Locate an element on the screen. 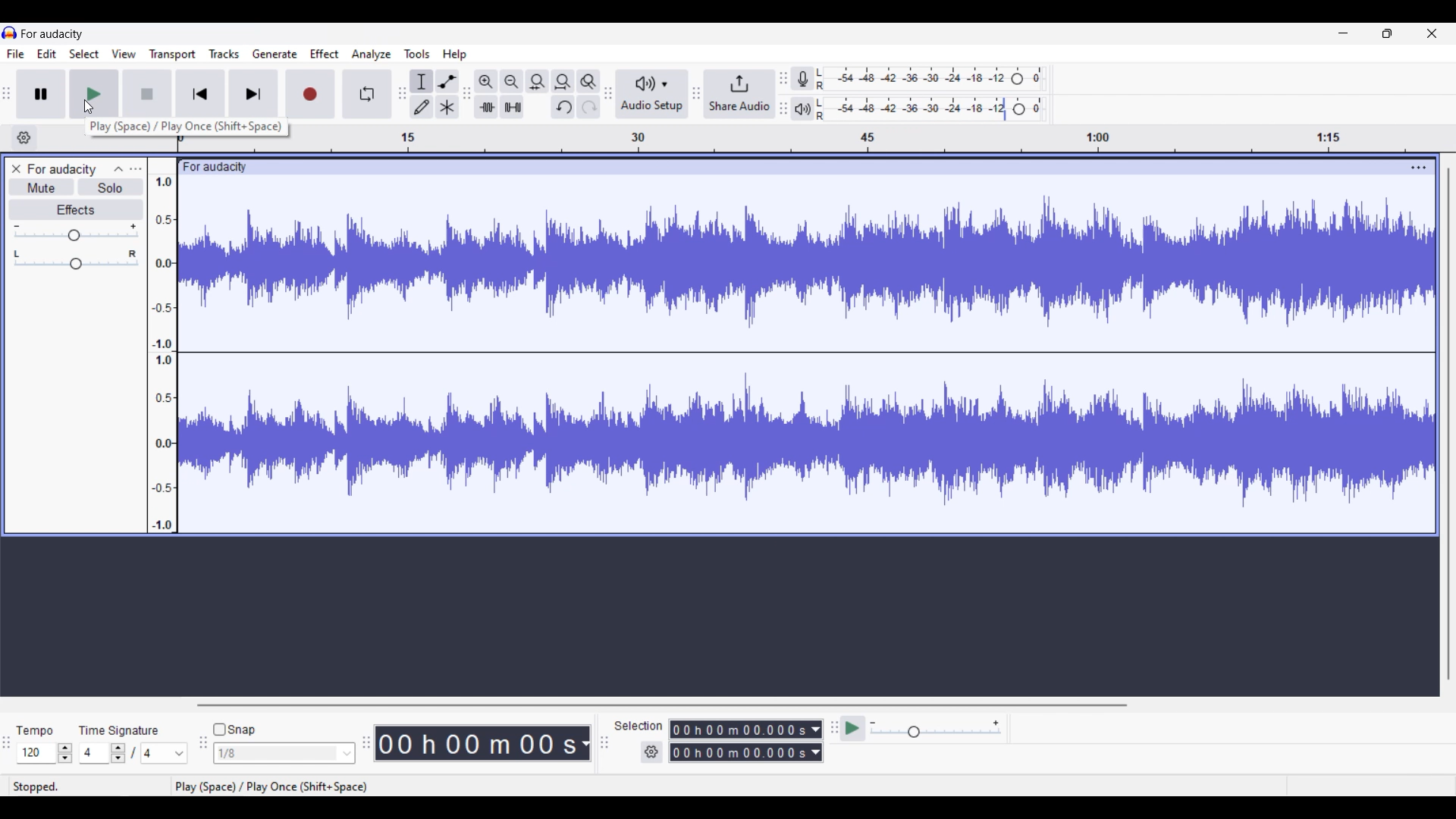 Image resolution: width=1456 pixels, height=819 pixels. Zoom in is located at coordinates (486, 82).